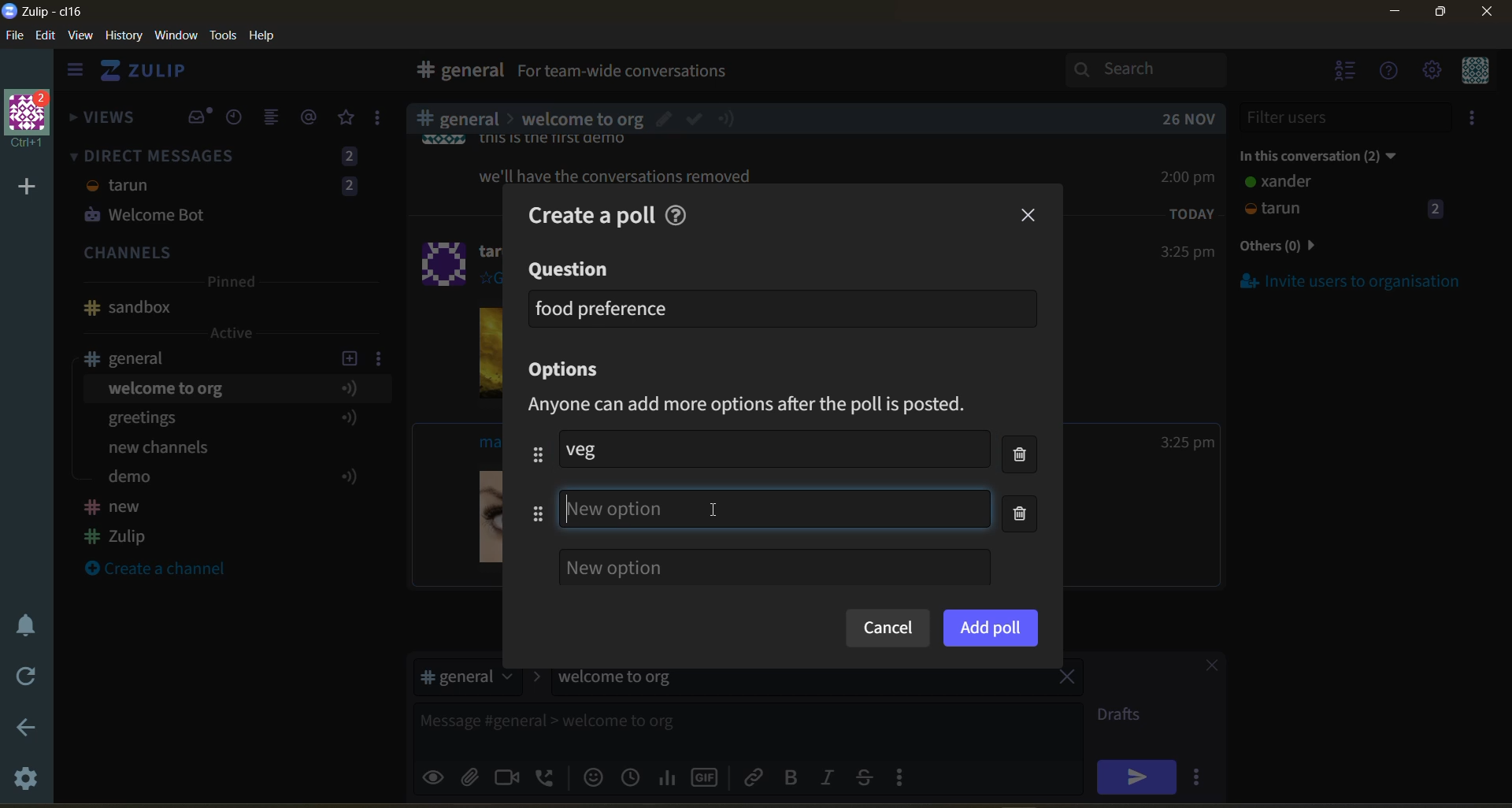 This screenshot has height=808, width=1512. I want to click on channel settings, so click(382, 358).